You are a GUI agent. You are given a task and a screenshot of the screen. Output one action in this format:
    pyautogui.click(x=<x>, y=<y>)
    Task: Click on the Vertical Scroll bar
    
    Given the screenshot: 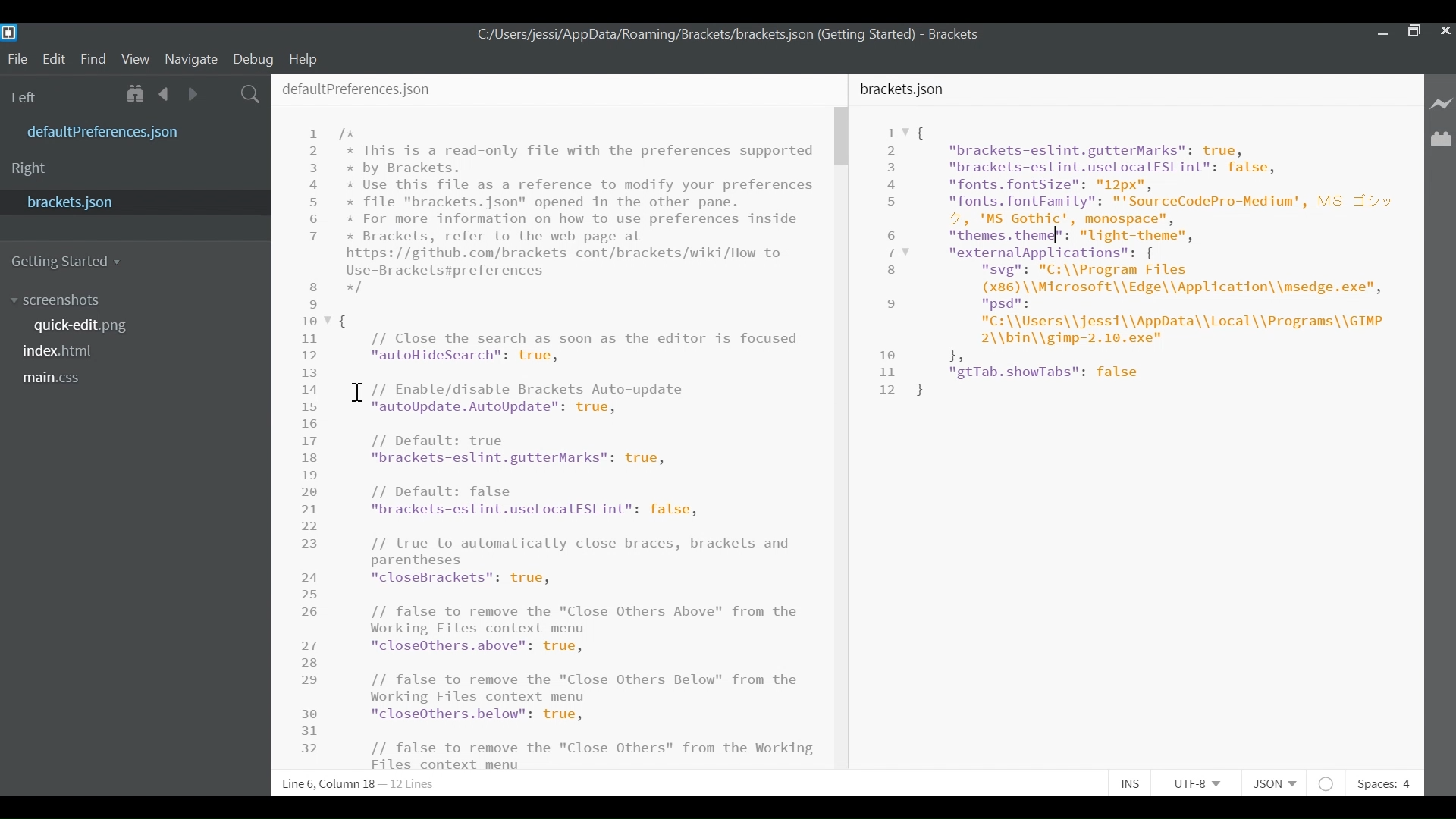 What is the action you would take?
    pyautogui.click(x=840, y=137)
    